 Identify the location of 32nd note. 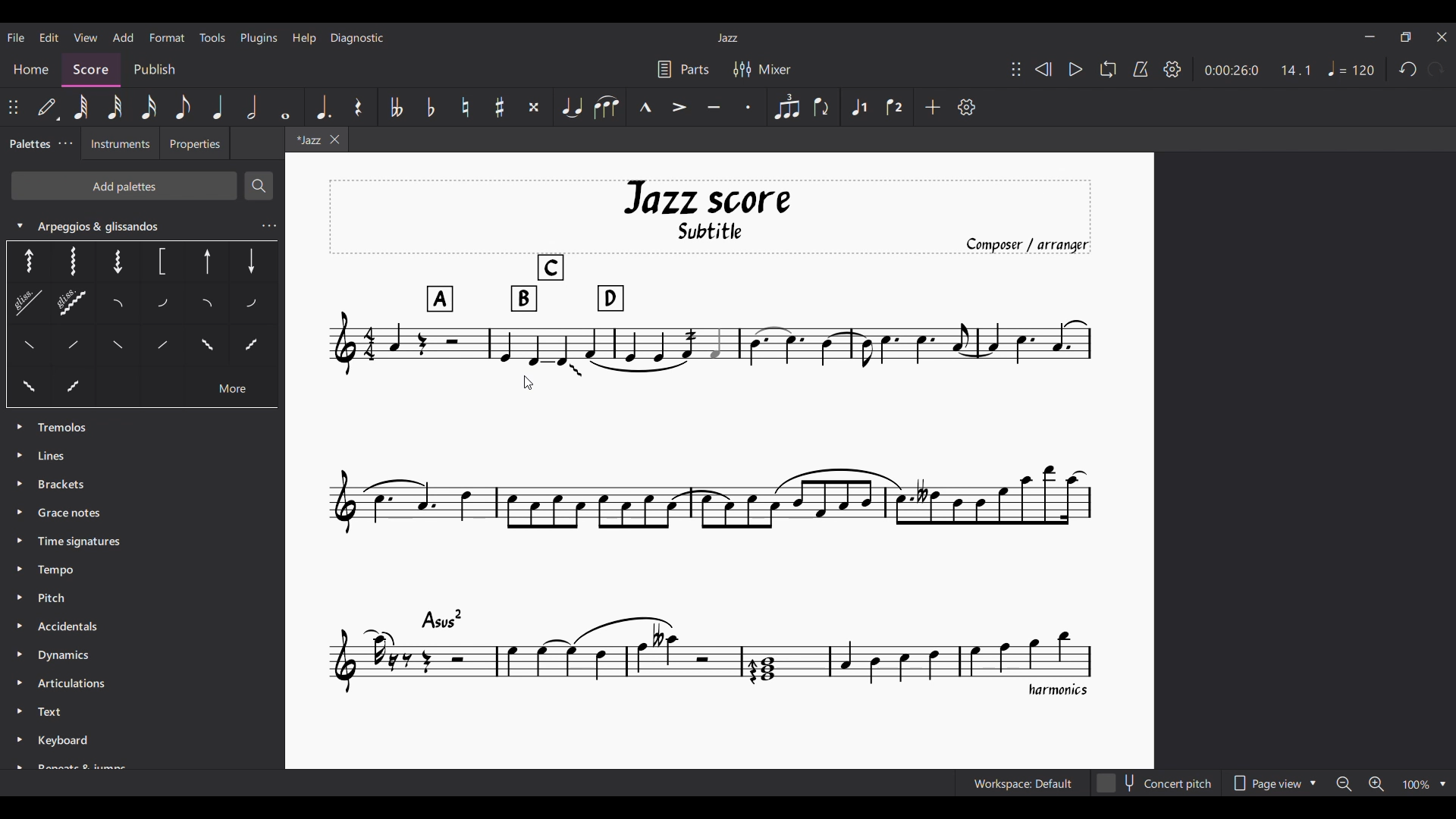
(115, 107).